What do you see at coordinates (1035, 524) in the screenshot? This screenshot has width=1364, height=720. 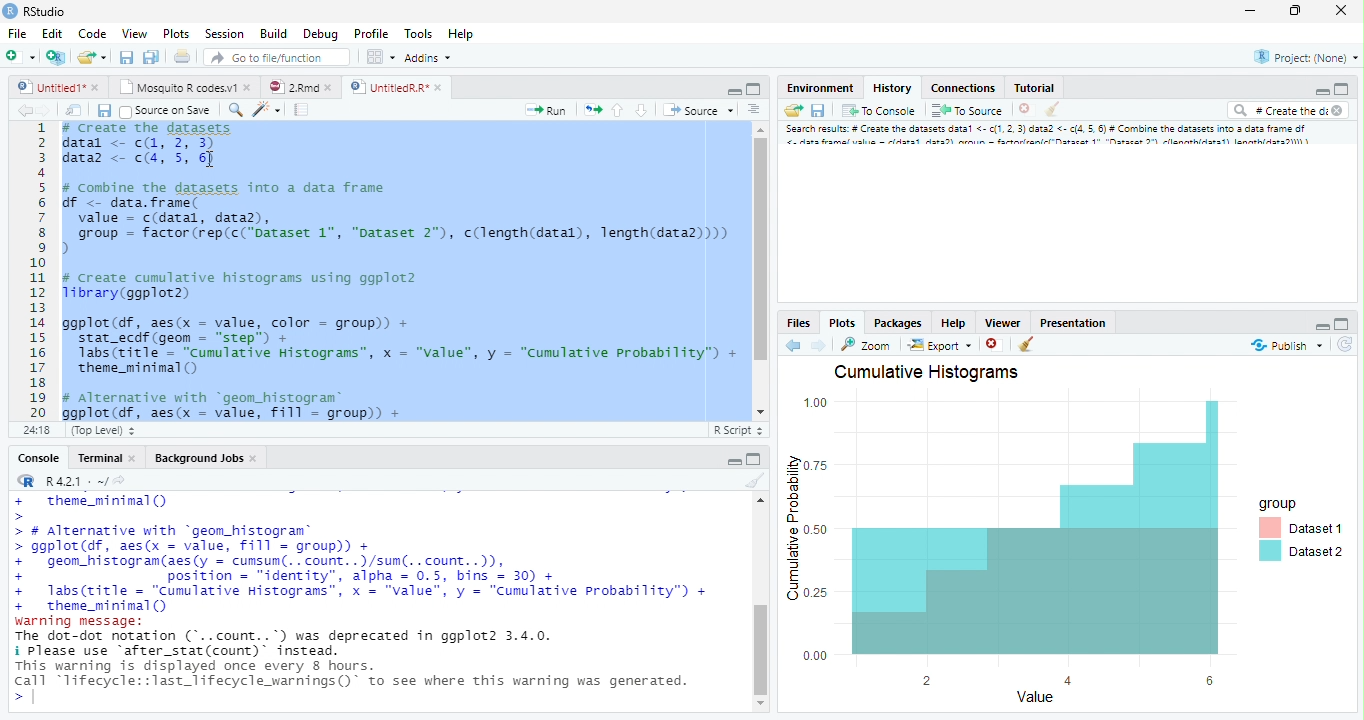 I see `Chart` at bounding box center [1035, 524].